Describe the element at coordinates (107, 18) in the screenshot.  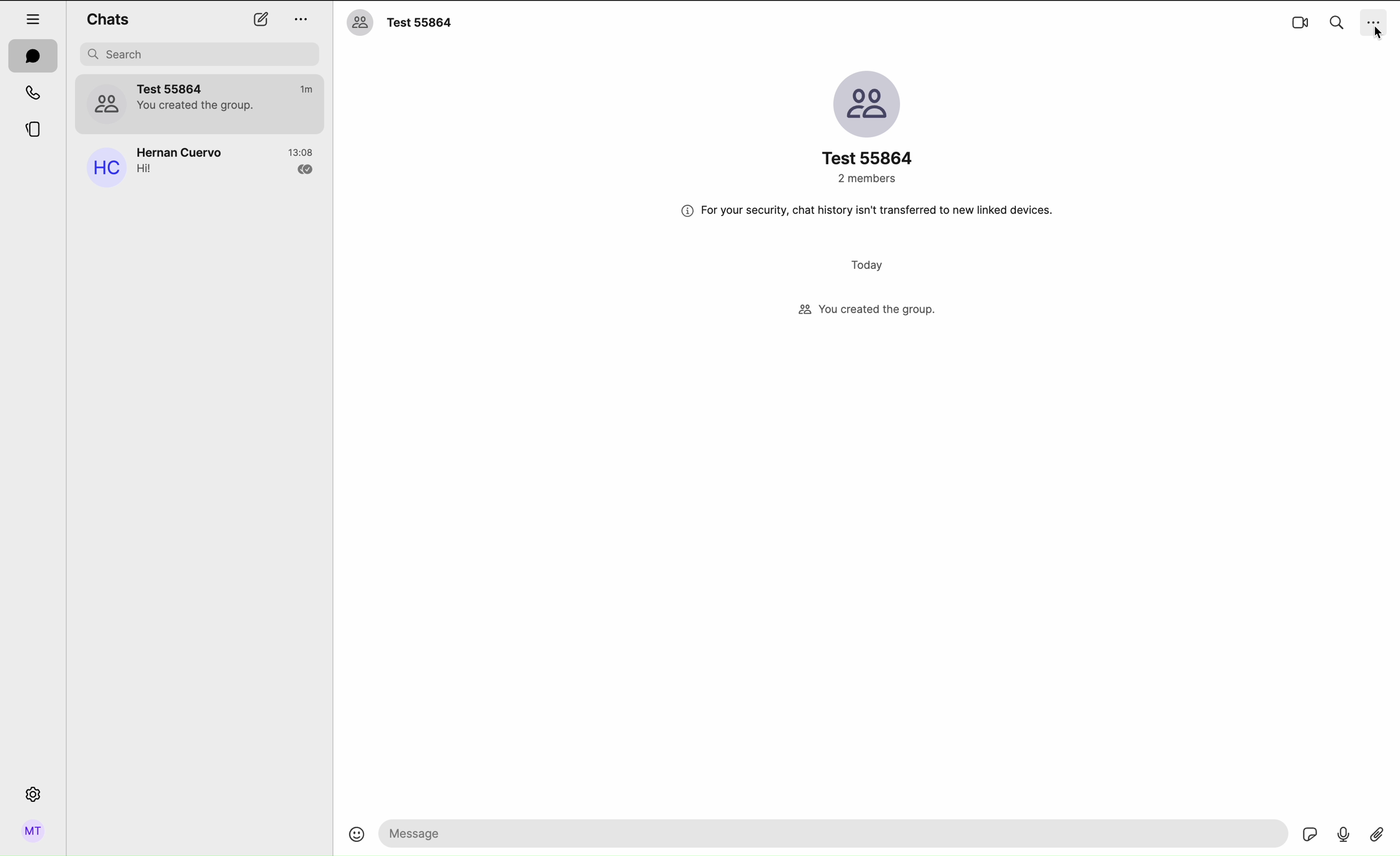
I see `chats` at that location.